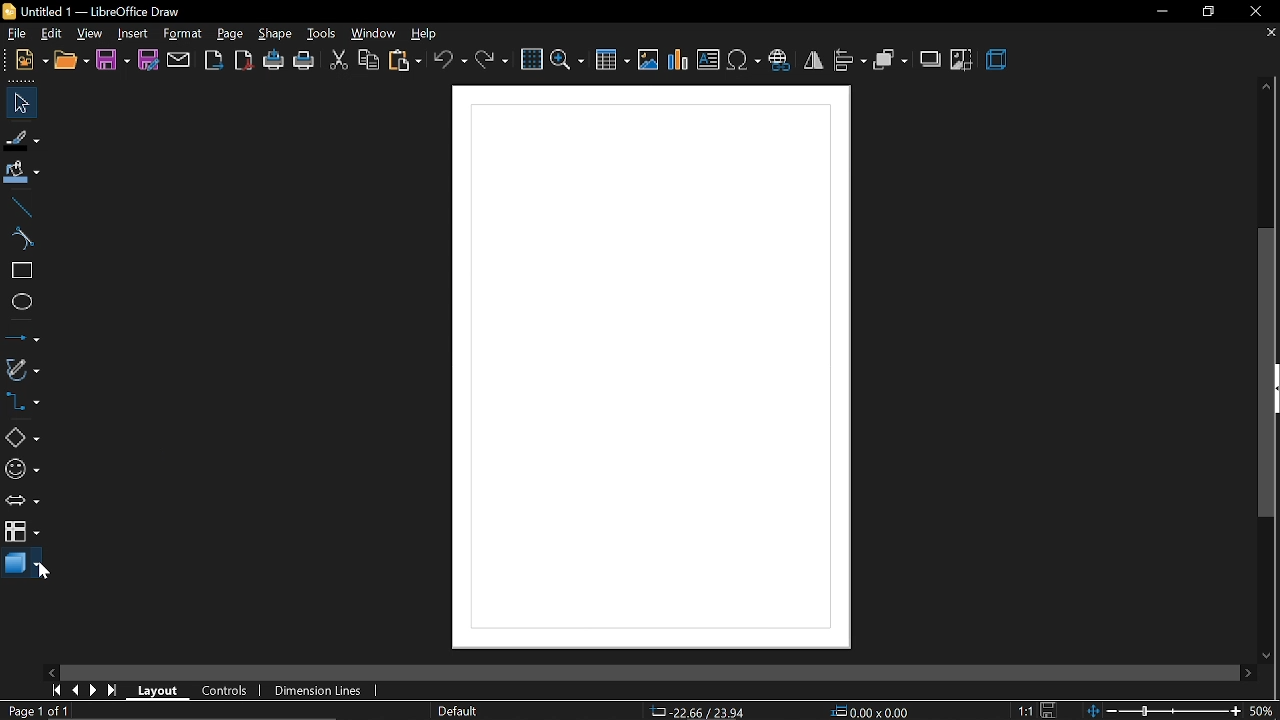  Describe the element at coordinates (26, 400) in the screenshot. I see `connector` at that location.